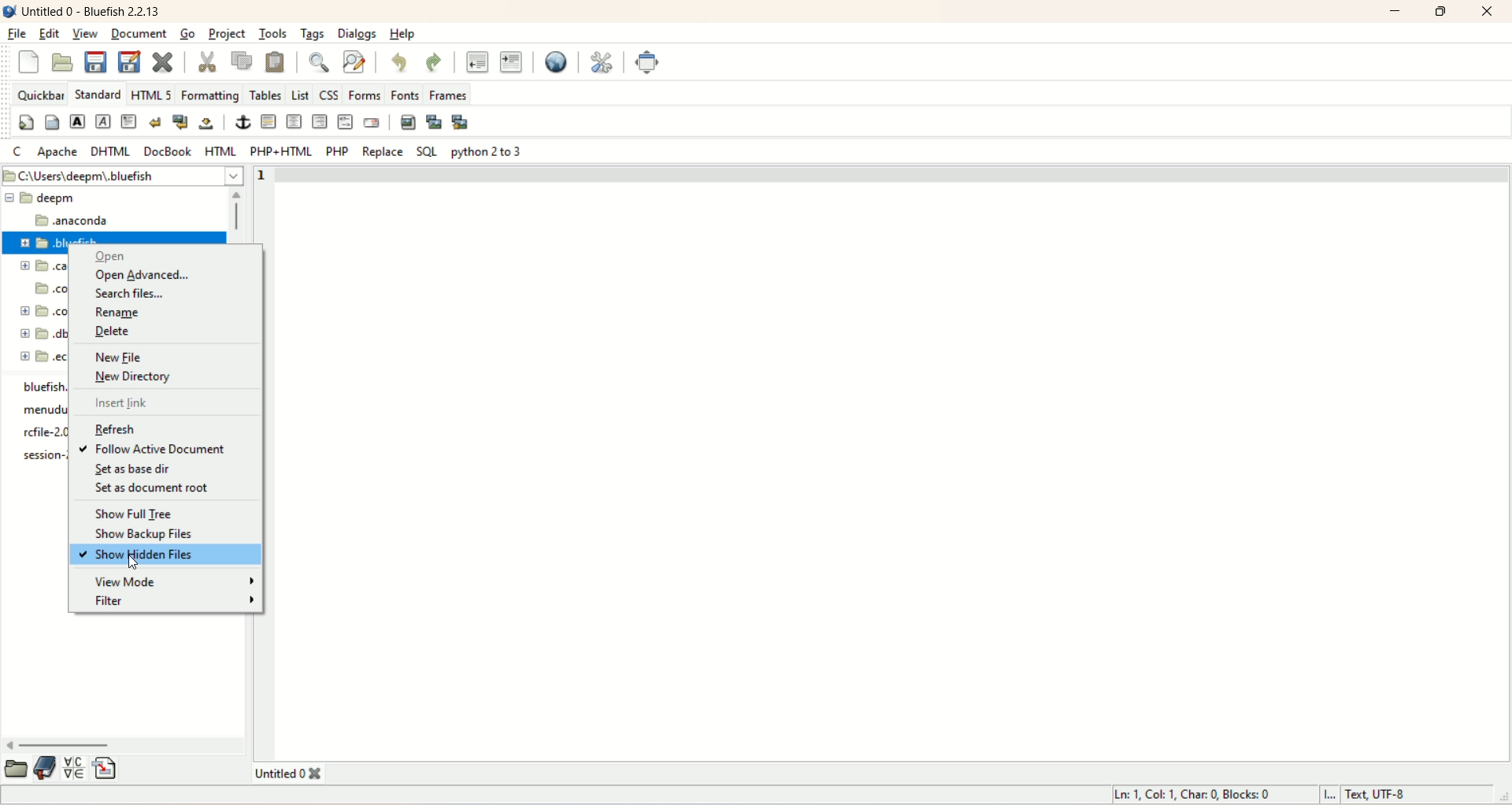 The width and height of the screenshot is (1512, 805). What do you see at coordinates (353, 61) in the screenshot?
I see `advanced find and replace` at bounding box center [353, 61].